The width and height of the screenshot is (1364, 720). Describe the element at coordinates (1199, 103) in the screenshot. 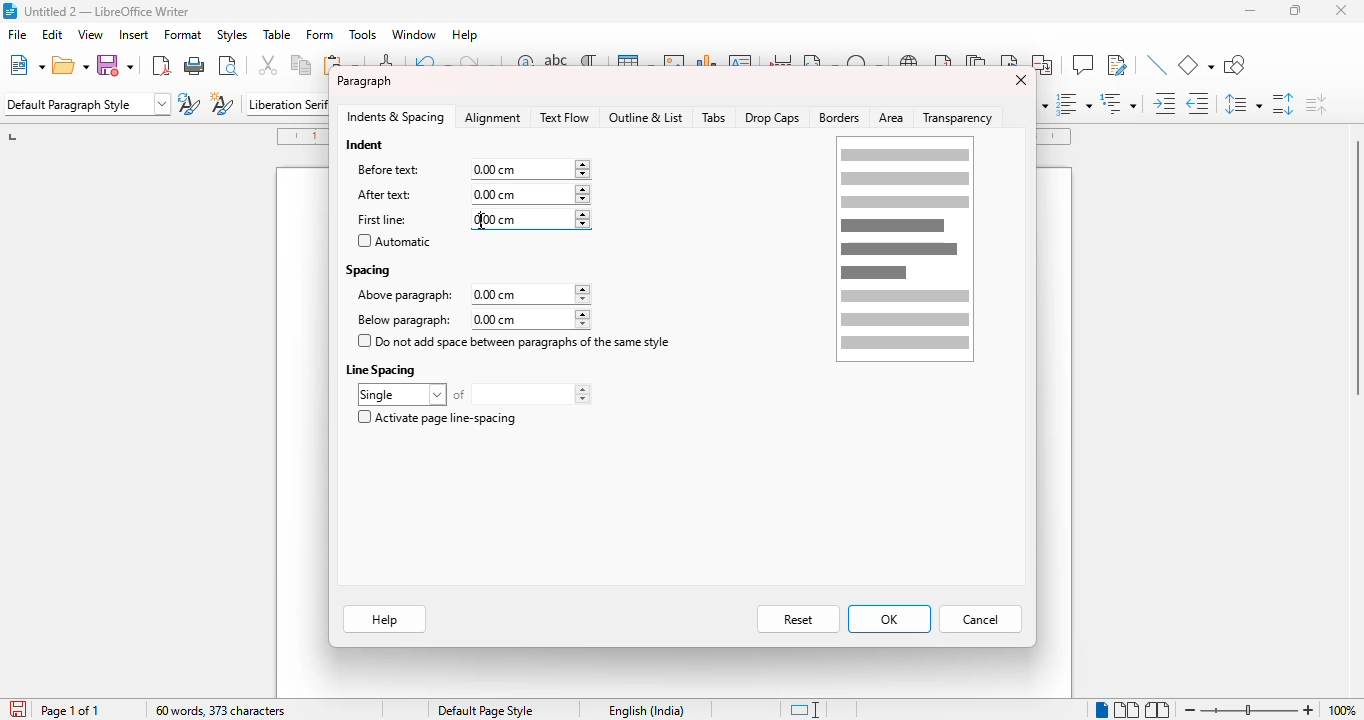

I see `decrease indent` at that location.